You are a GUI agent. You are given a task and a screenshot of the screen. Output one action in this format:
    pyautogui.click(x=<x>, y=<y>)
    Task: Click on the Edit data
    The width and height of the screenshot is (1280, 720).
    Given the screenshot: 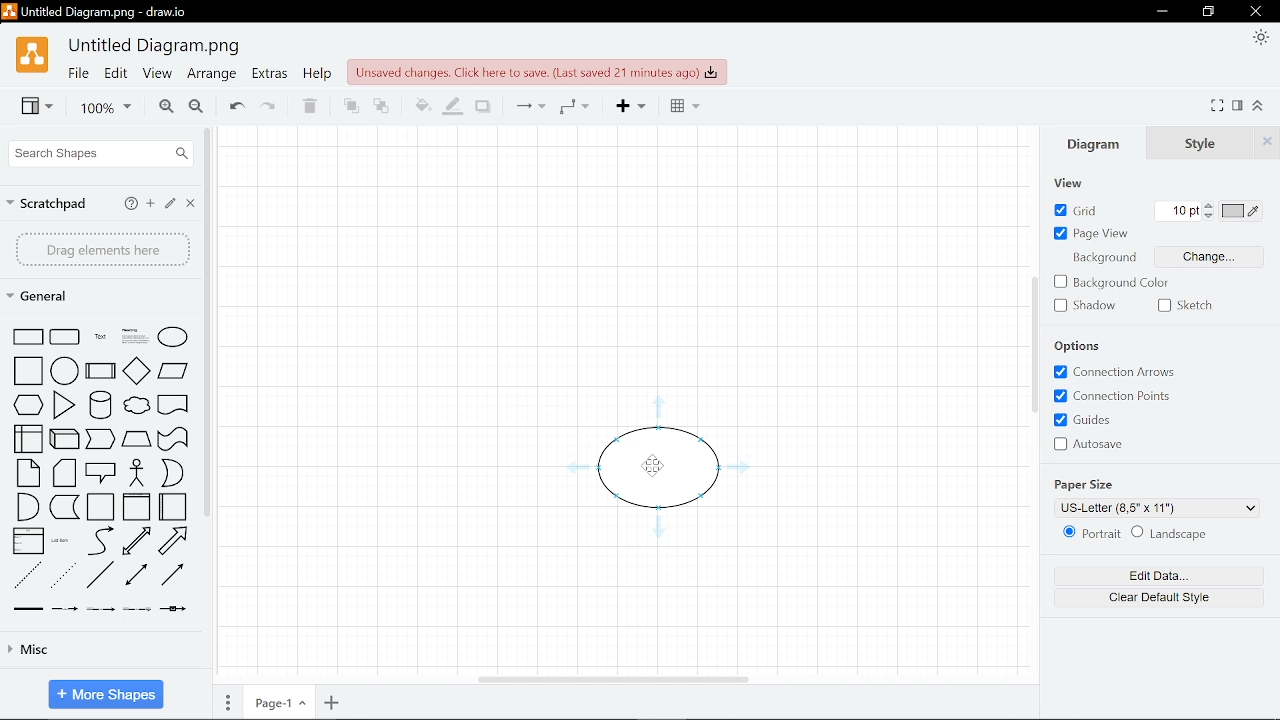 What is the action you would take?
    pyautogui.click(x=1154, y=573)
    